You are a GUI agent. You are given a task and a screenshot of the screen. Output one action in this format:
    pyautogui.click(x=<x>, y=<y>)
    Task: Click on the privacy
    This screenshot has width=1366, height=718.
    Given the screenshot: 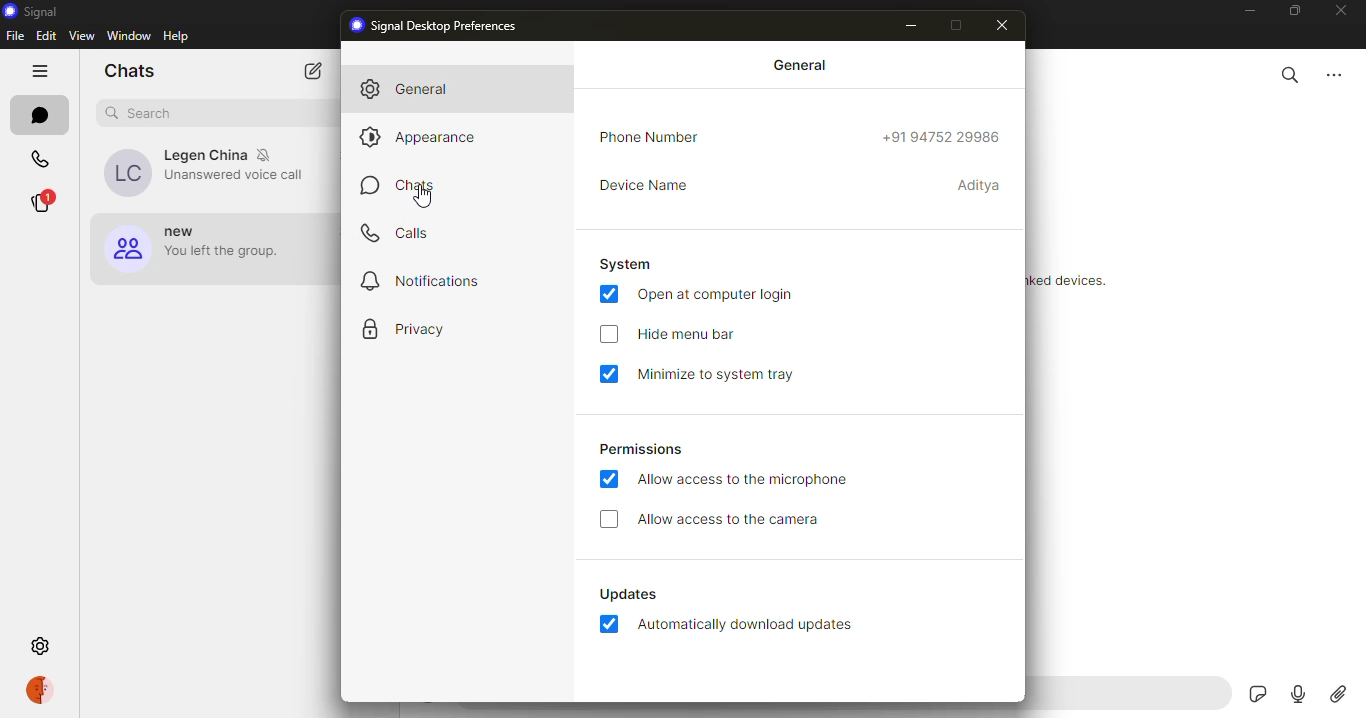 What is the action you would take?
    pyautogui.click(x=426, y=327)
    